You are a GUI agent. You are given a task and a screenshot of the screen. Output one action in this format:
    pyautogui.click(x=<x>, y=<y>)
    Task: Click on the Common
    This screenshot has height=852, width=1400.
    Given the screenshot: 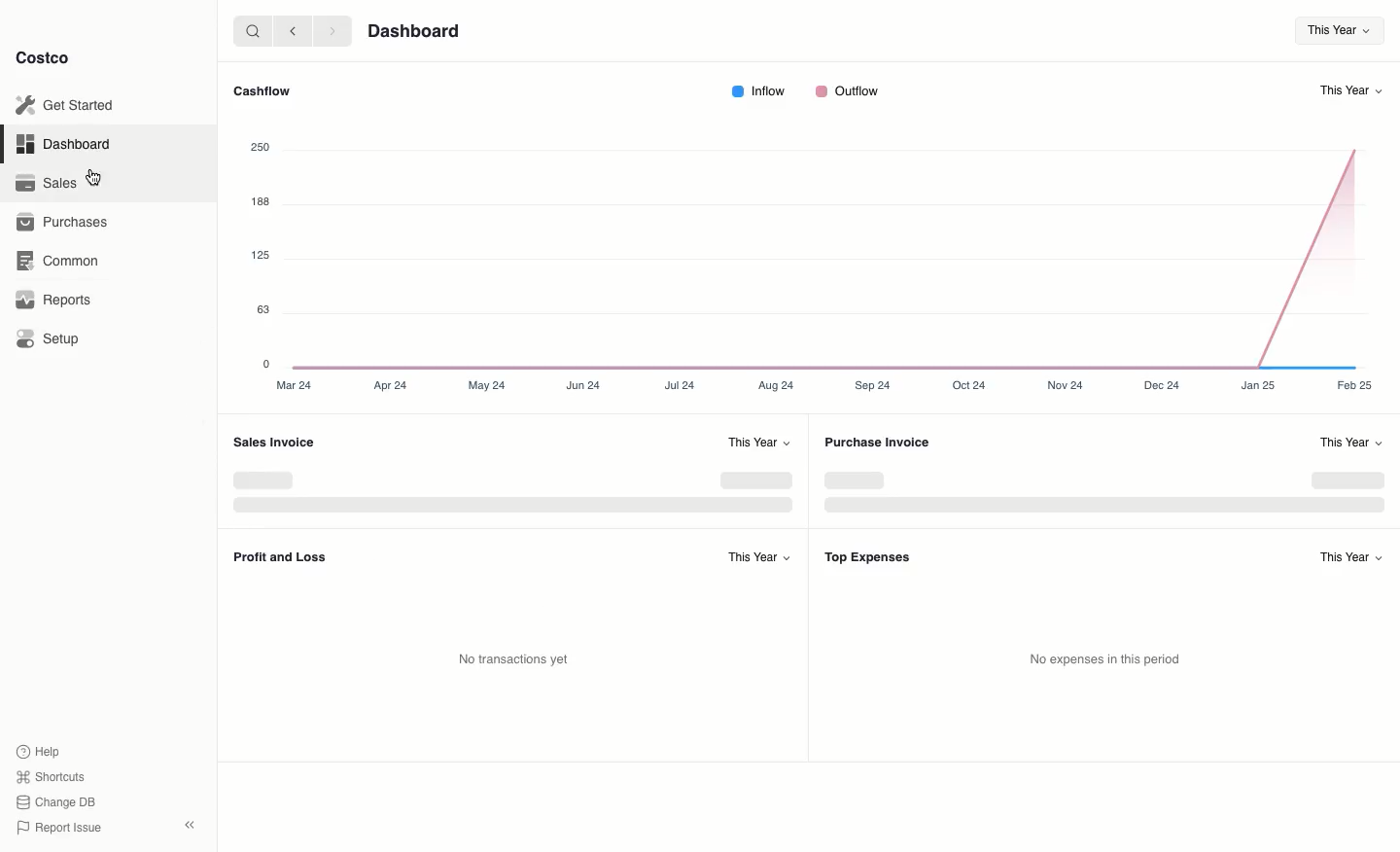 What is the action you would take?
    pyautogui.click(x=59, y=262)
    